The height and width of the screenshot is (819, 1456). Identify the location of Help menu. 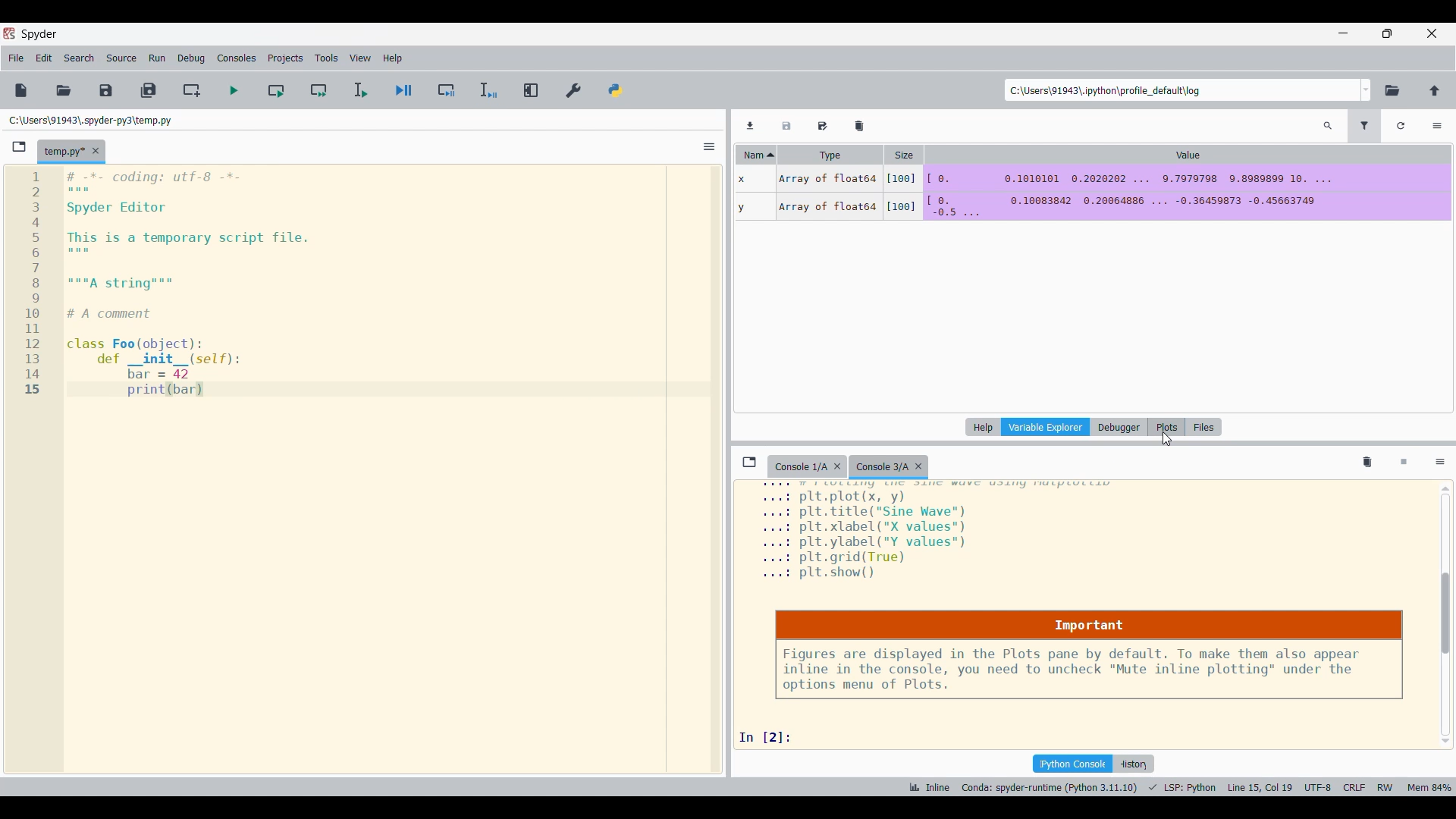
(394, 58).